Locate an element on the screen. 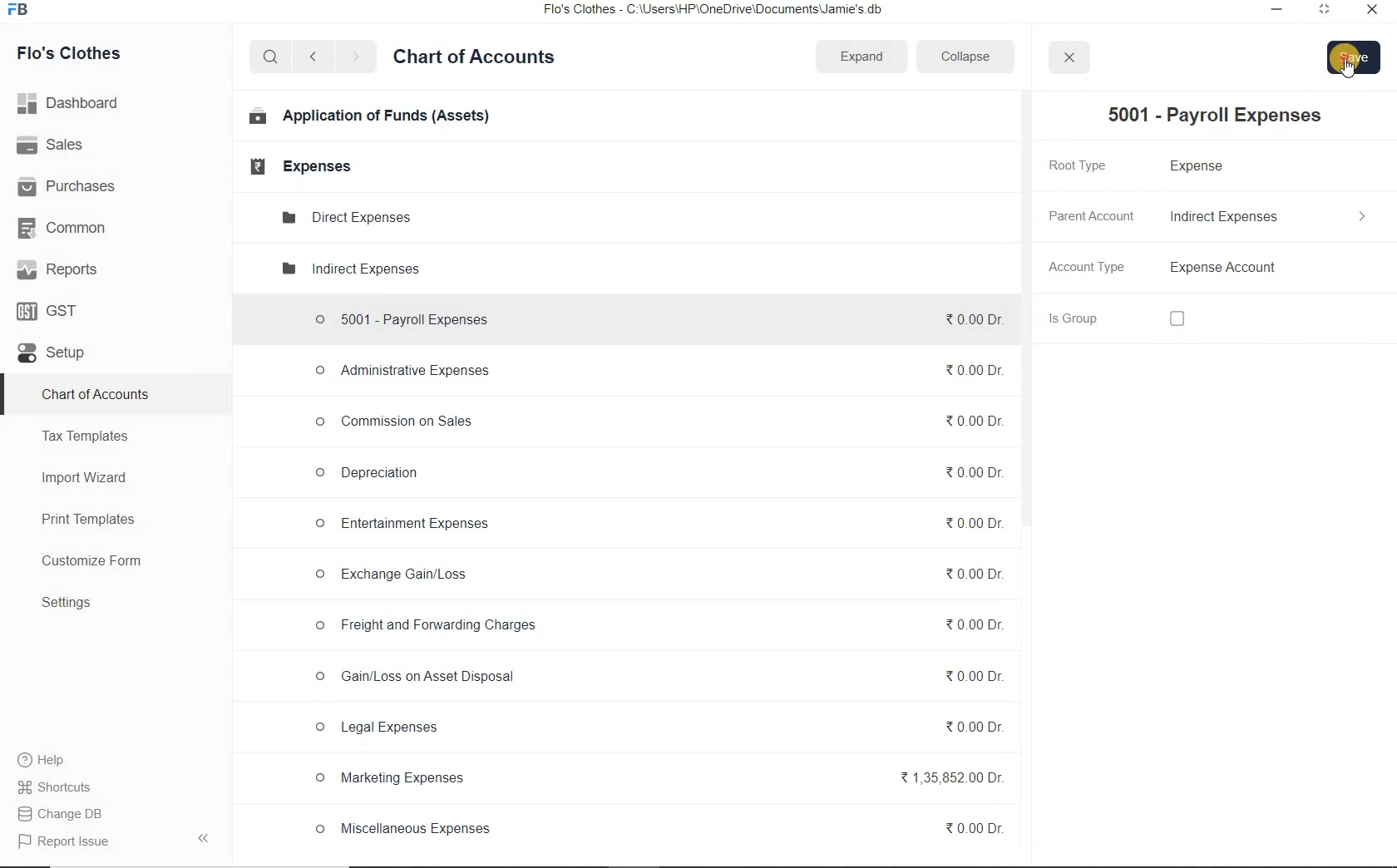 This screenshot has height=868, width=1397. minimize is located at coordinates (1277, 11).